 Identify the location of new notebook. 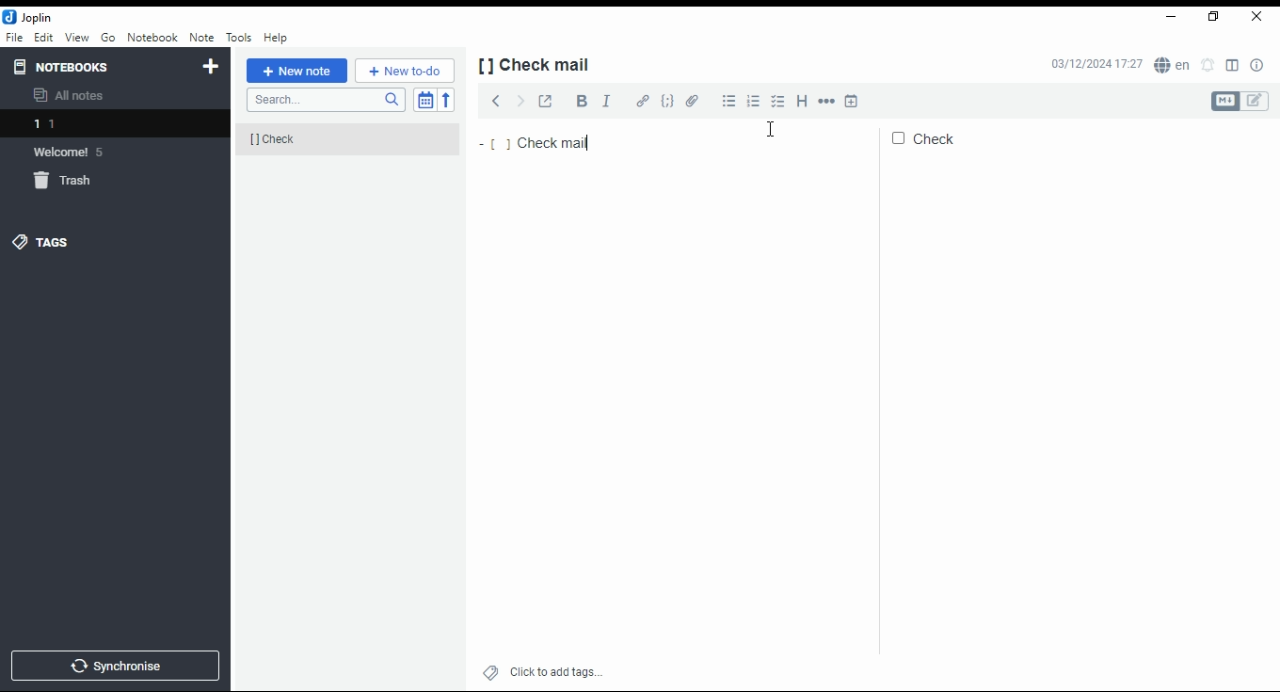
(212, 67).